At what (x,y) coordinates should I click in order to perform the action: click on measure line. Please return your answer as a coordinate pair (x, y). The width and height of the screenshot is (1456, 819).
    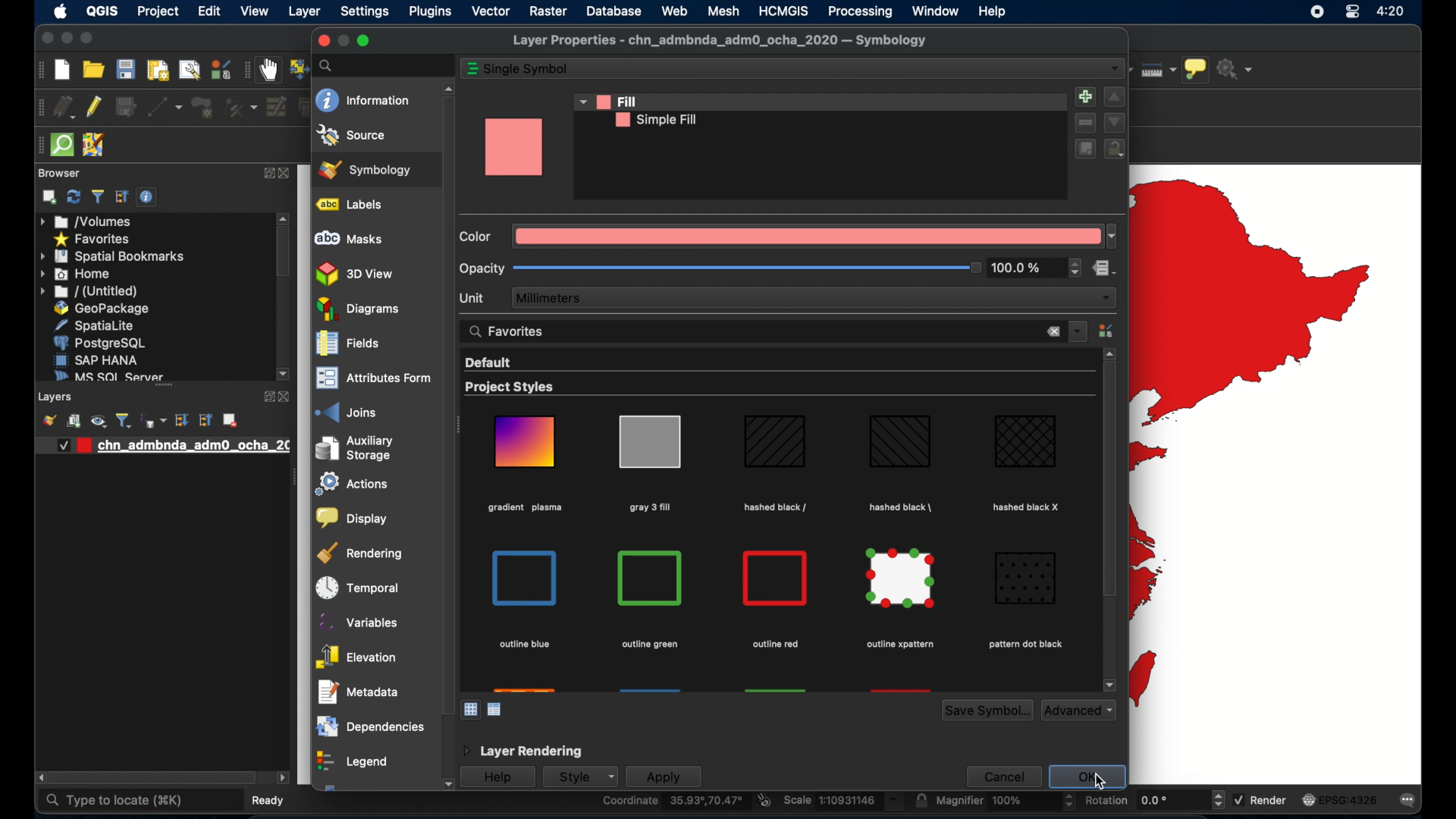
    Looking at the image, I should click on (1157, 69).